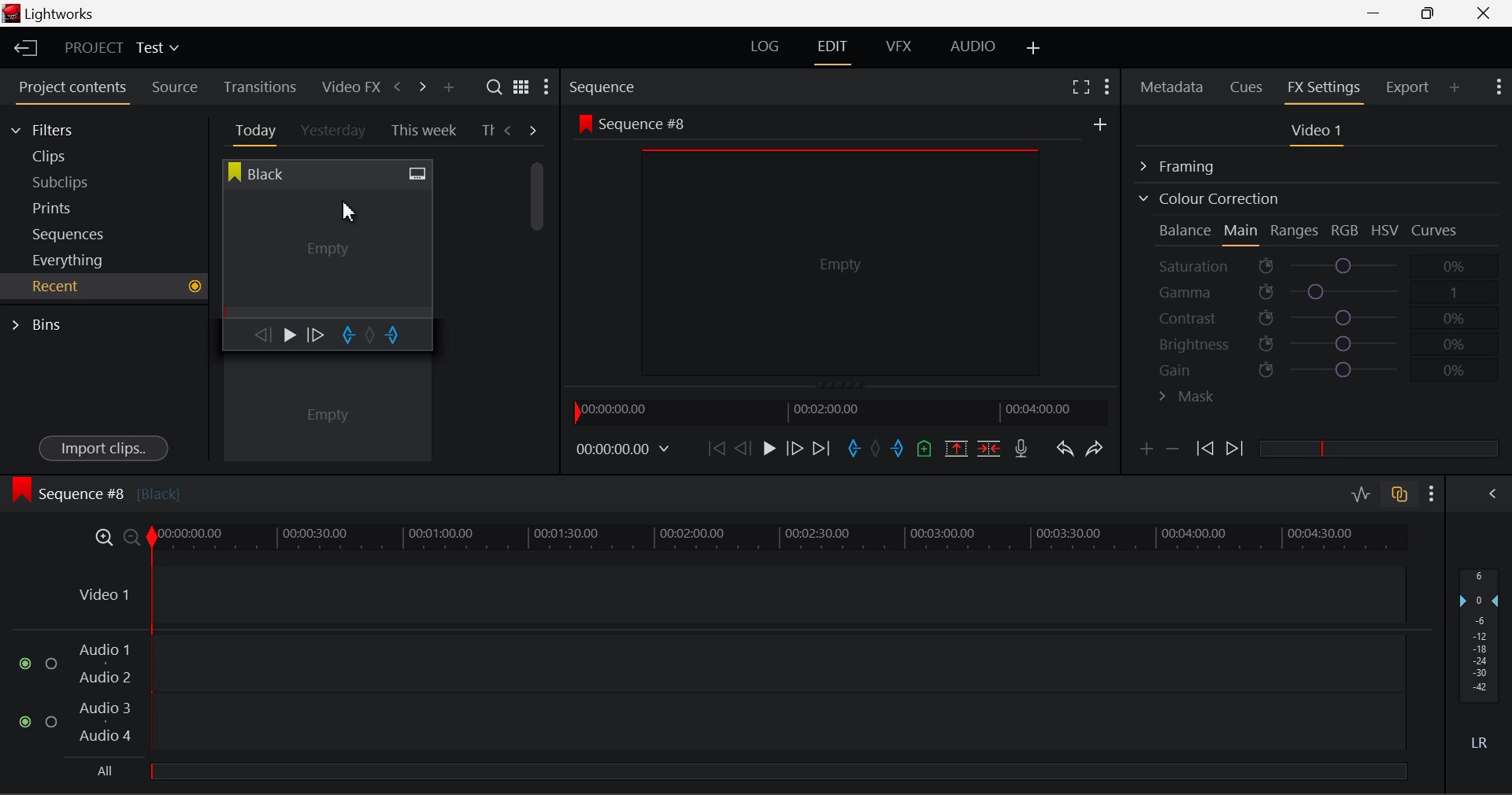 Image resolution: width=1512 pixels, height=795 pixels. What do you see at coordinates (1346, 231) in the screenshot?
I see `RGB` at bounding box center [1346, 231].